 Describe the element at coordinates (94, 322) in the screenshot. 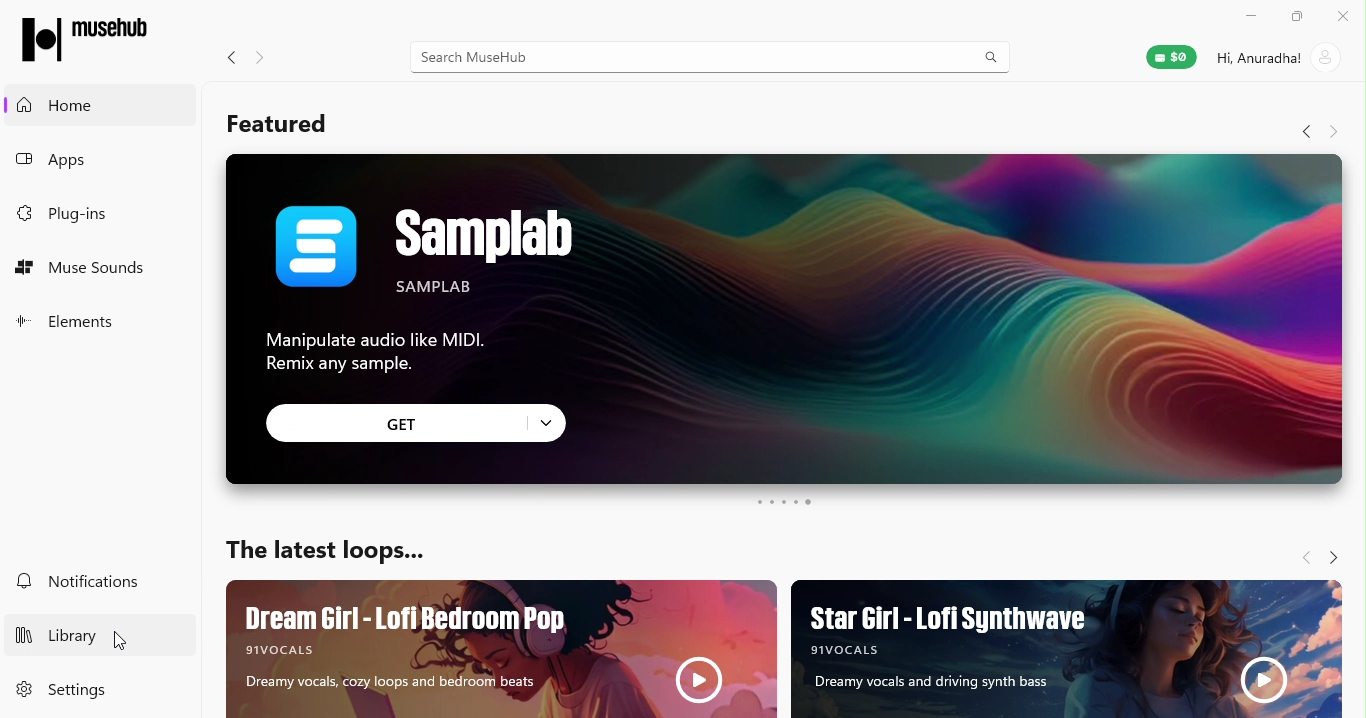

I see `Elements` at that location.